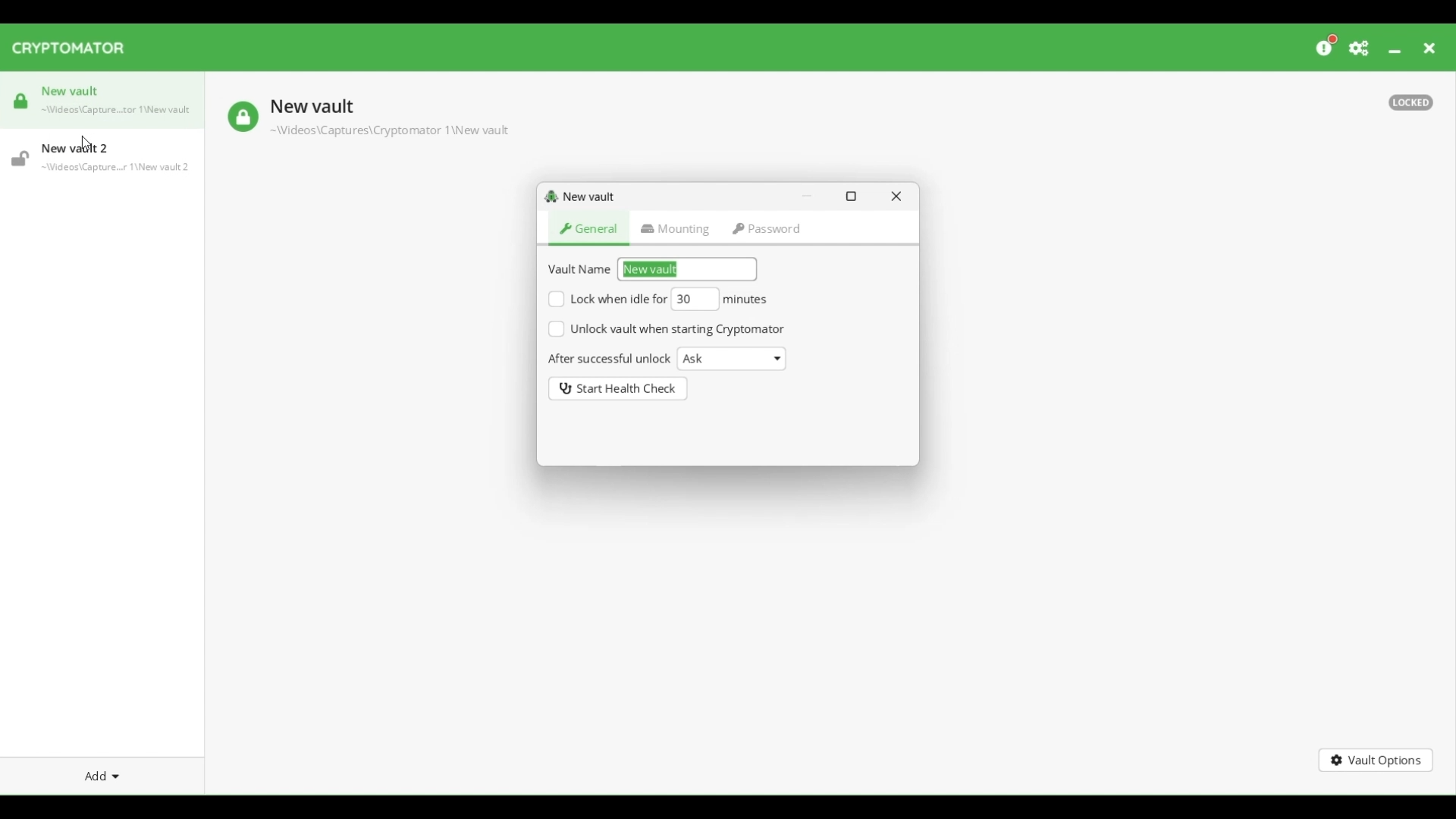 This screenshot has height=819, width=1456. I want to click on Vault Name, so click(582, 268).